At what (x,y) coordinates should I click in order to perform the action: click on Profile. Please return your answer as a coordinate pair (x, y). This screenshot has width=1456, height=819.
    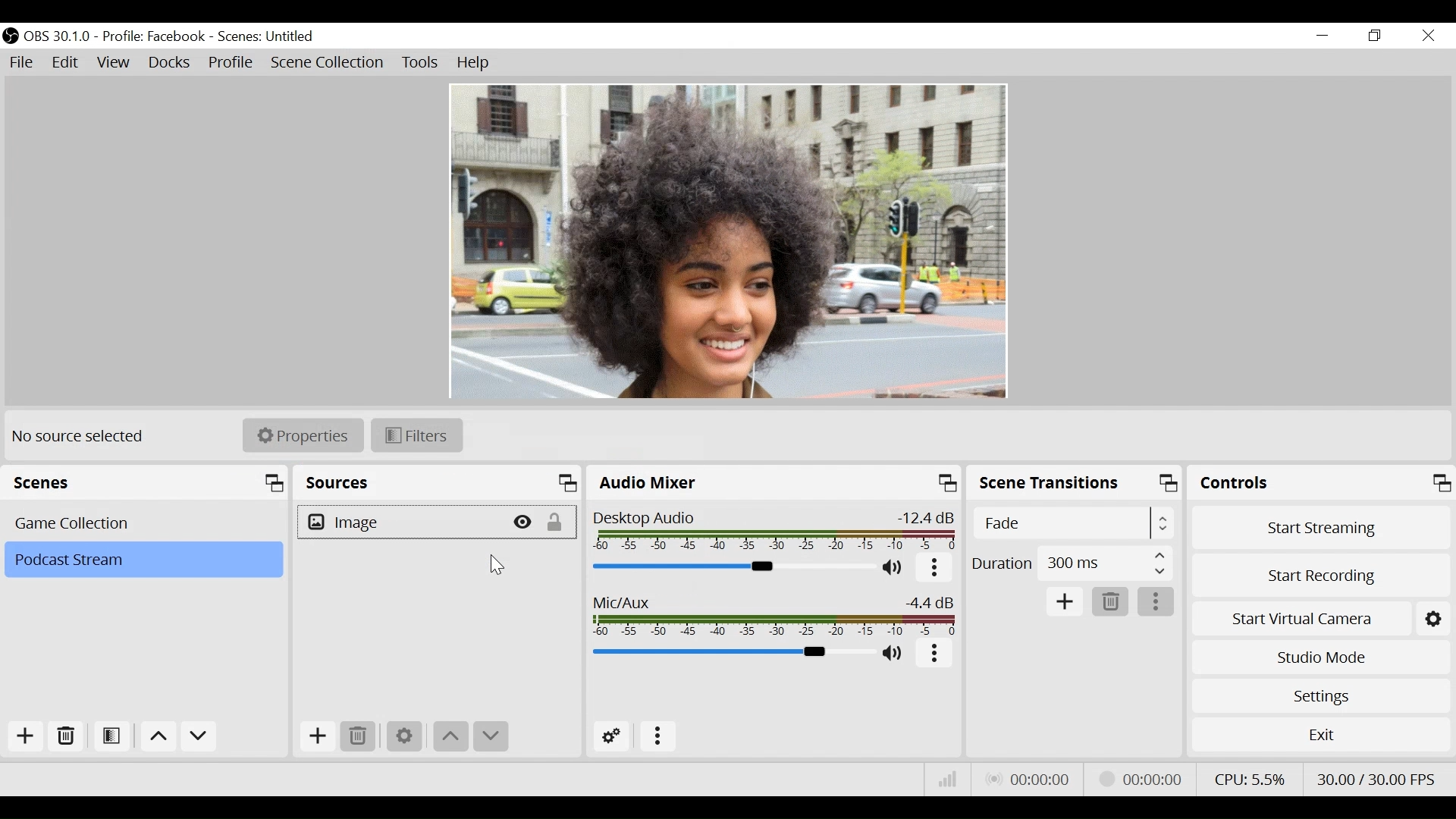
    Looking at the image, I should click on (155, 36).